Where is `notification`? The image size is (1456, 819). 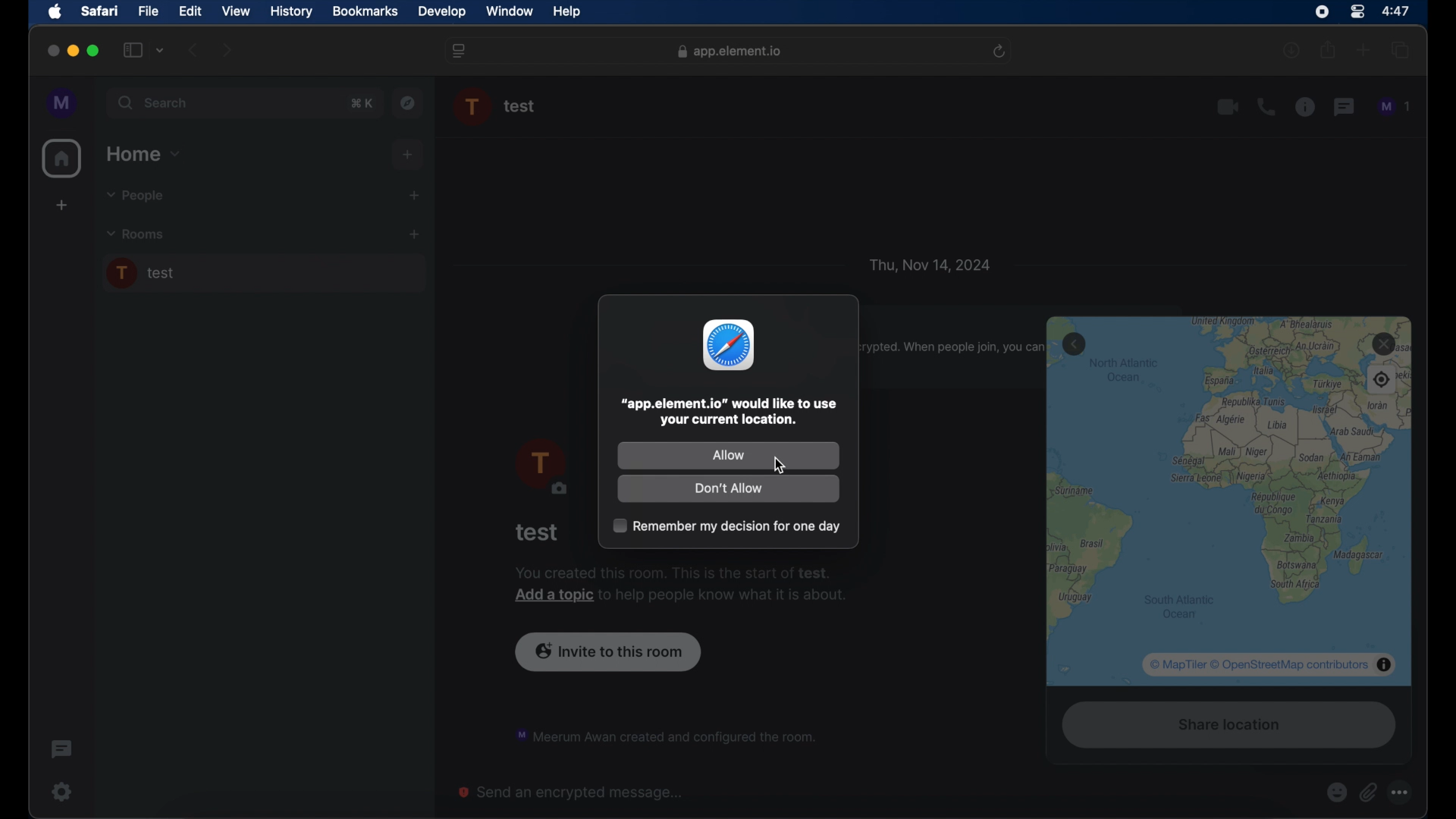 notification is located at coordinates (681, 585).